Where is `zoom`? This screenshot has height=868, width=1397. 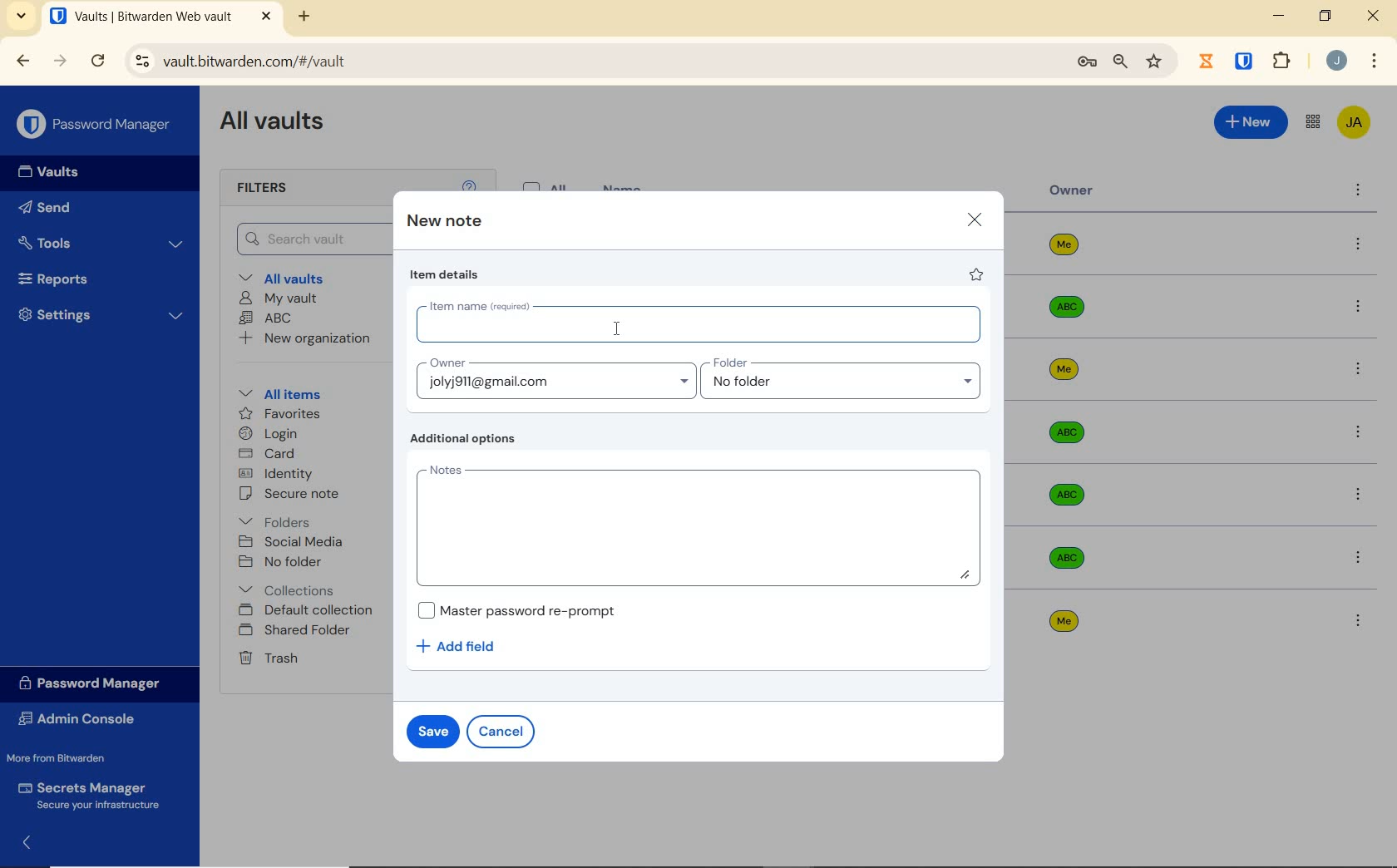 zoom is located at coordinates (1118, 62).